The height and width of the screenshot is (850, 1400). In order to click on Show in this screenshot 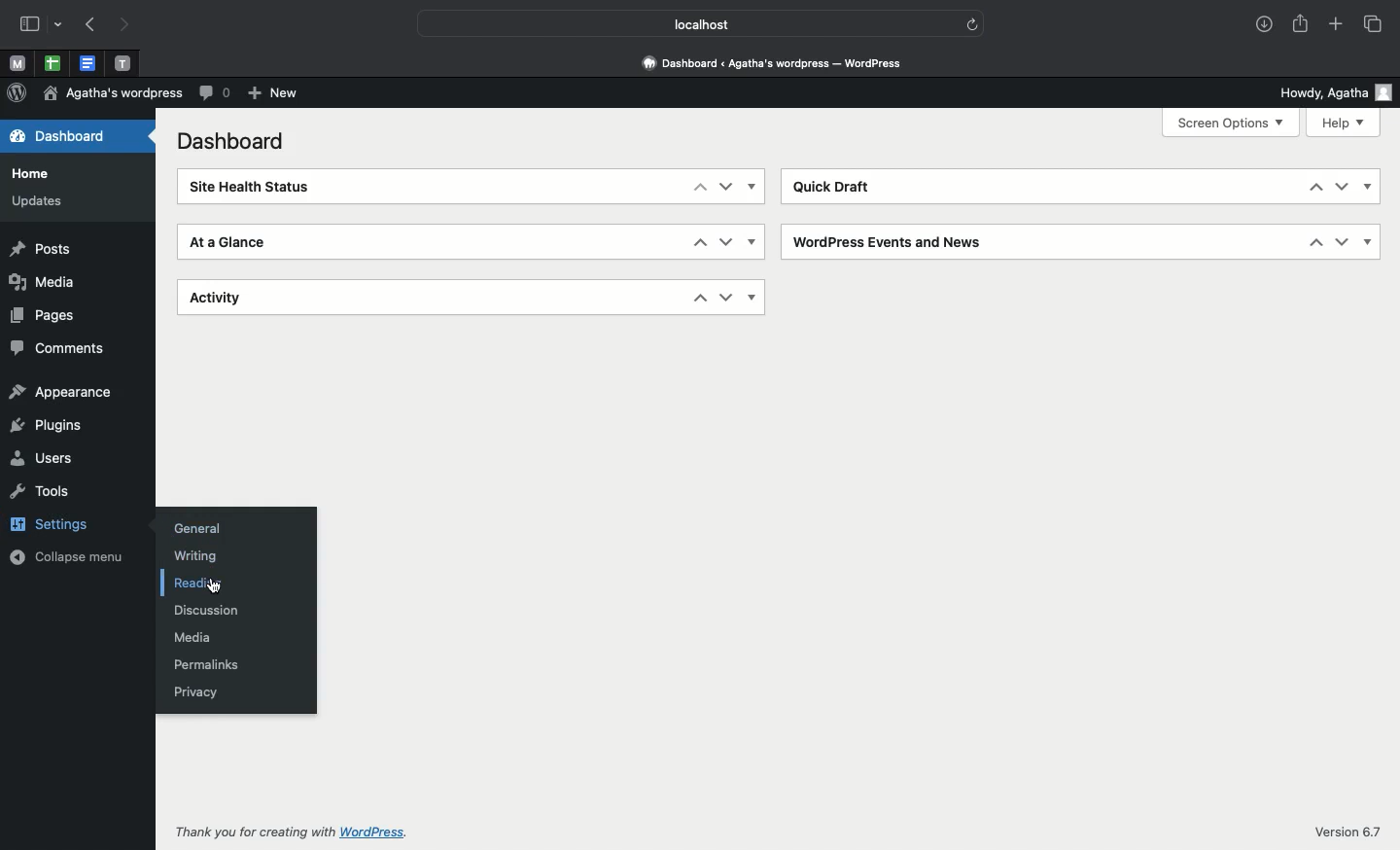, I will do `click(1369, 188)`.